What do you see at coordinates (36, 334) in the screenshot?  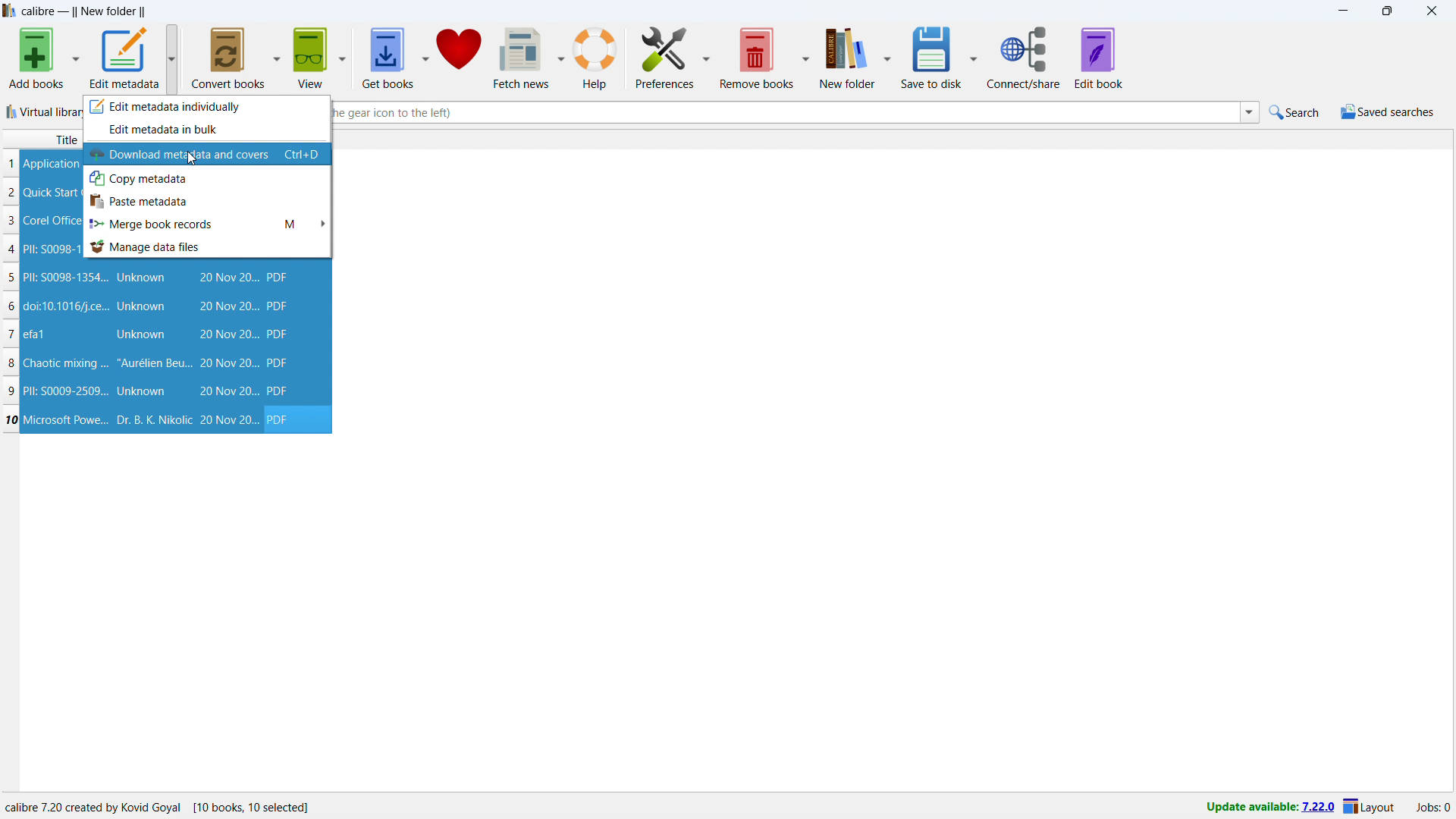 I see `efa1` at bounding box center [36, 334].